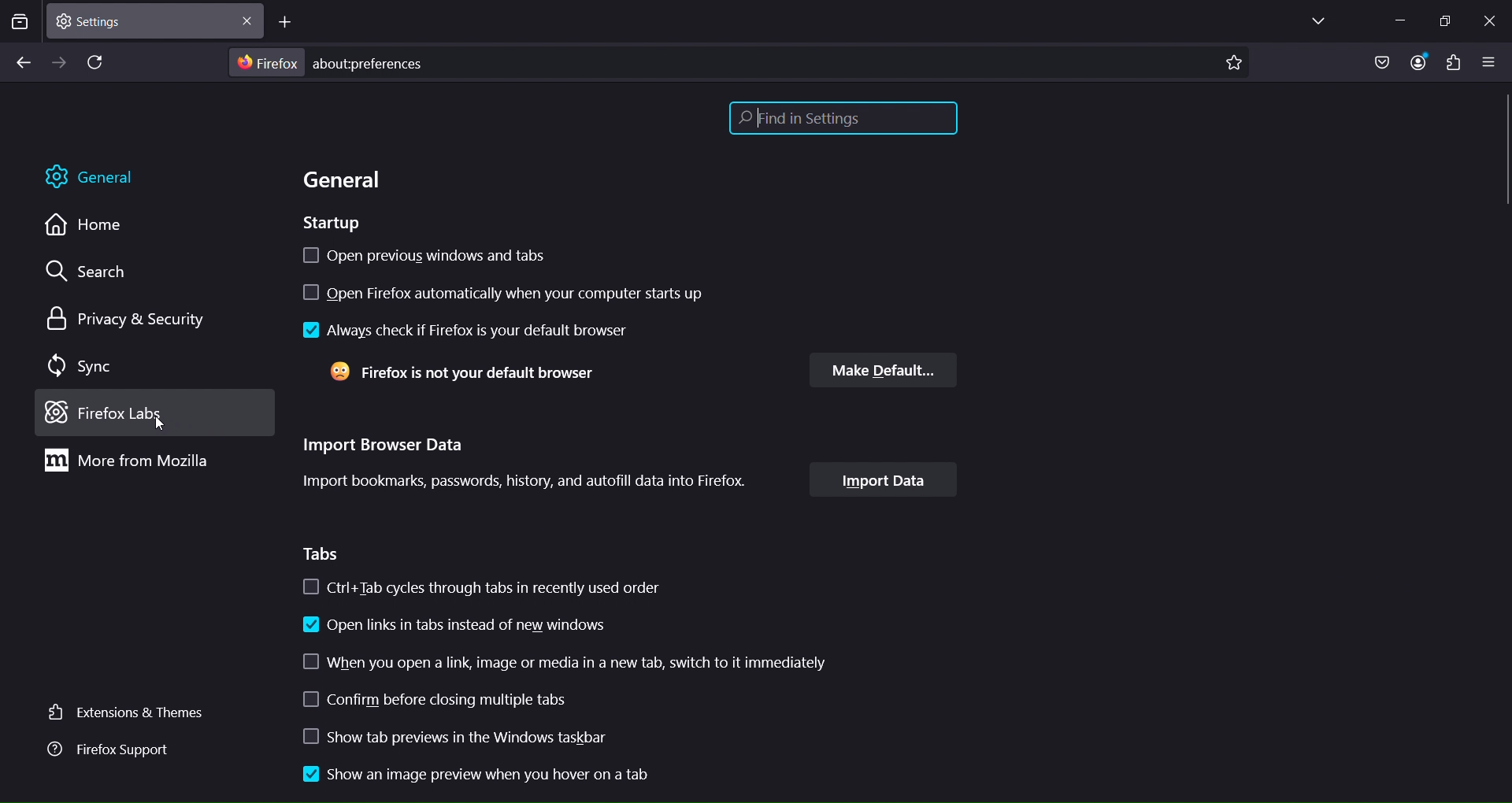 The height and width of the screenshot is (803, 1512). I want to click on cursor, so click(157, 424).